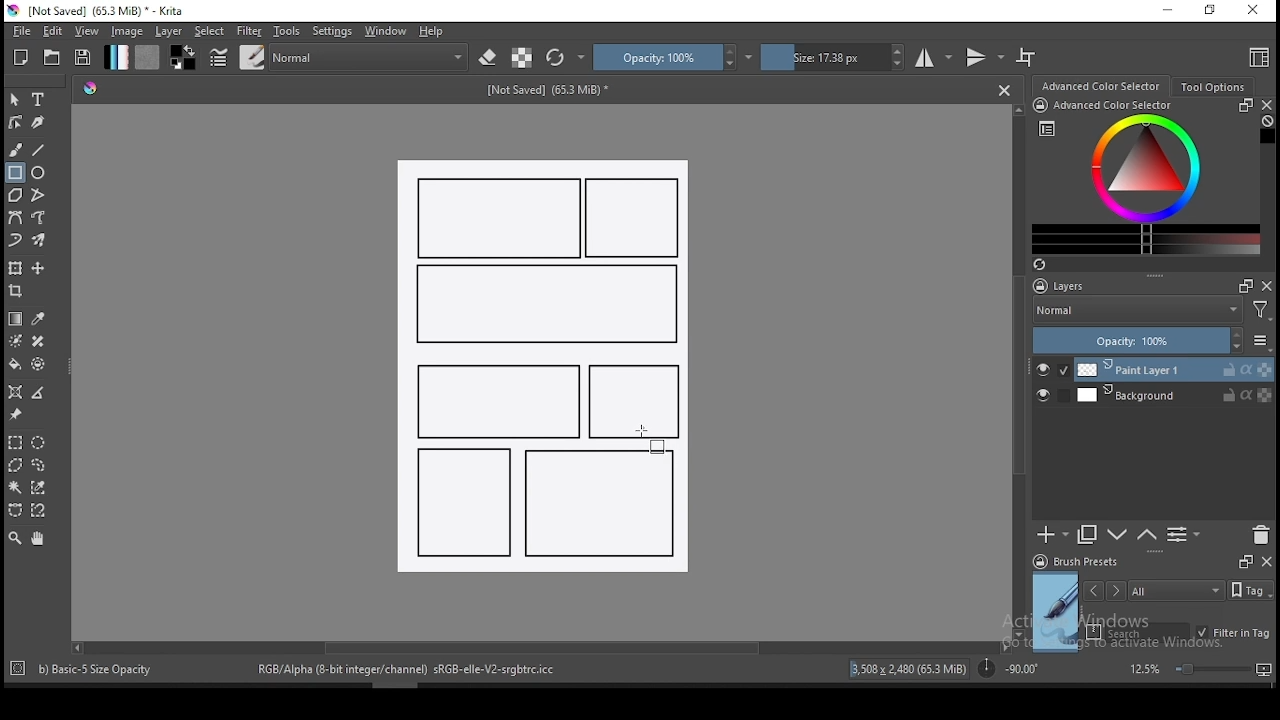  What do you see at coordinates (332, 31) in the screenshot?
I see `settings` at bounding box center [332, 31].